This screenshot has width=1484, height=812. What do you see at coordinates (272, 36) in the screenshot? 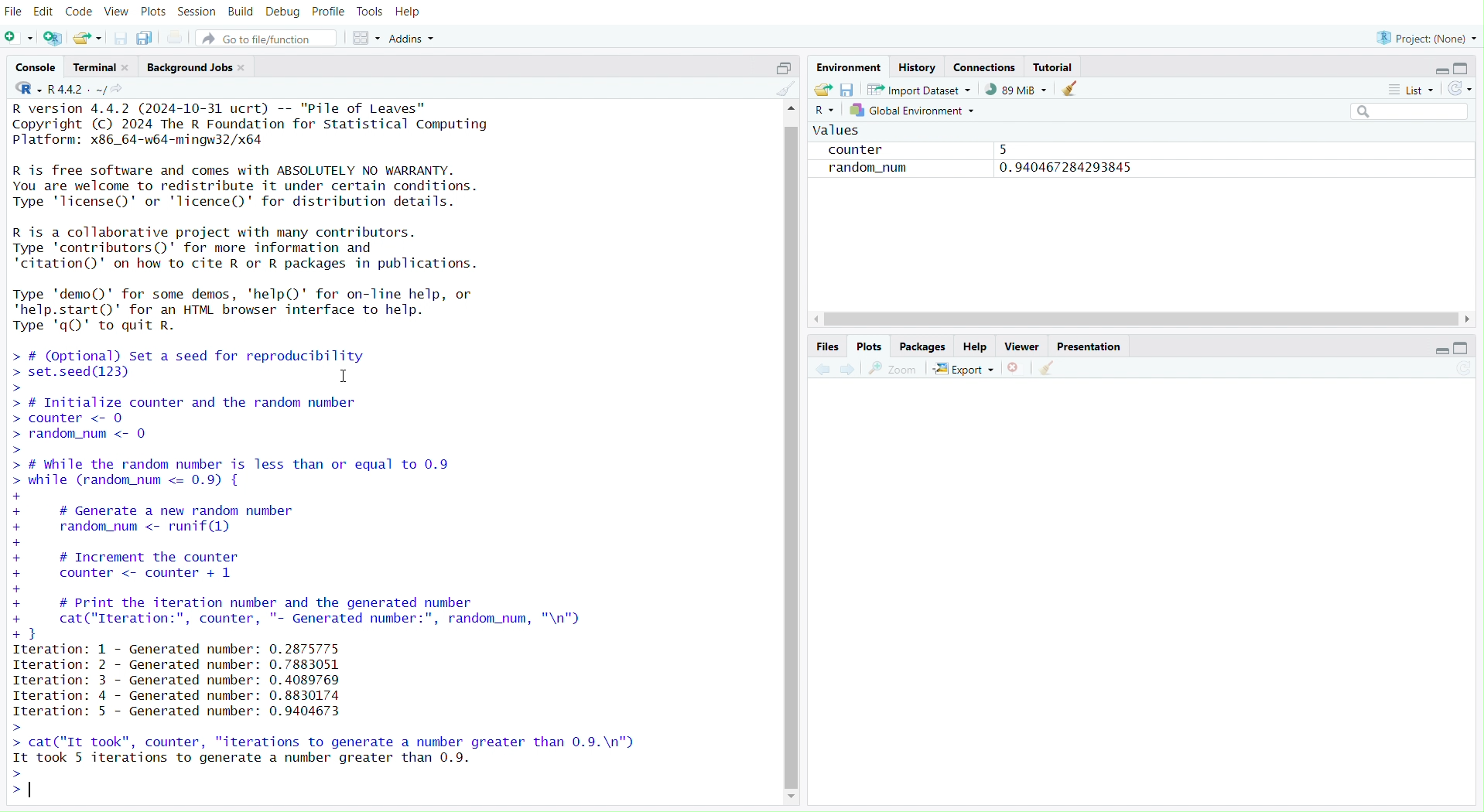
I see `Go to file/function` at bounding box center [272, 36].